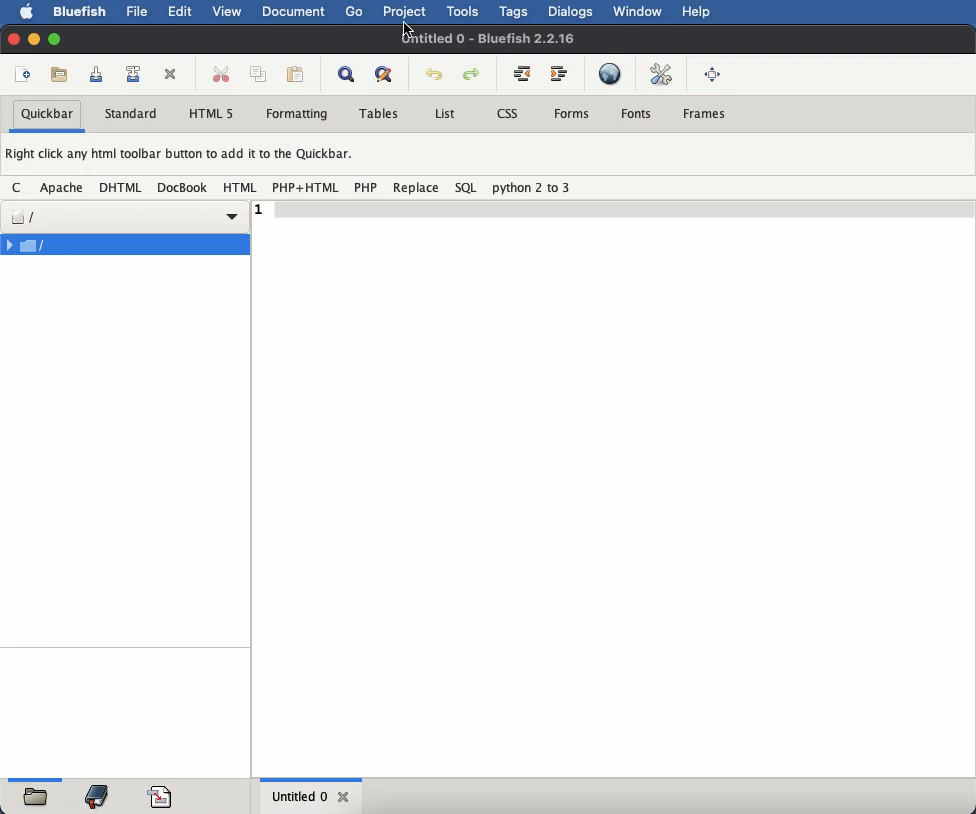  Describe the element at coordinates (140, 12) in the screenshot. I see `file` at that location.